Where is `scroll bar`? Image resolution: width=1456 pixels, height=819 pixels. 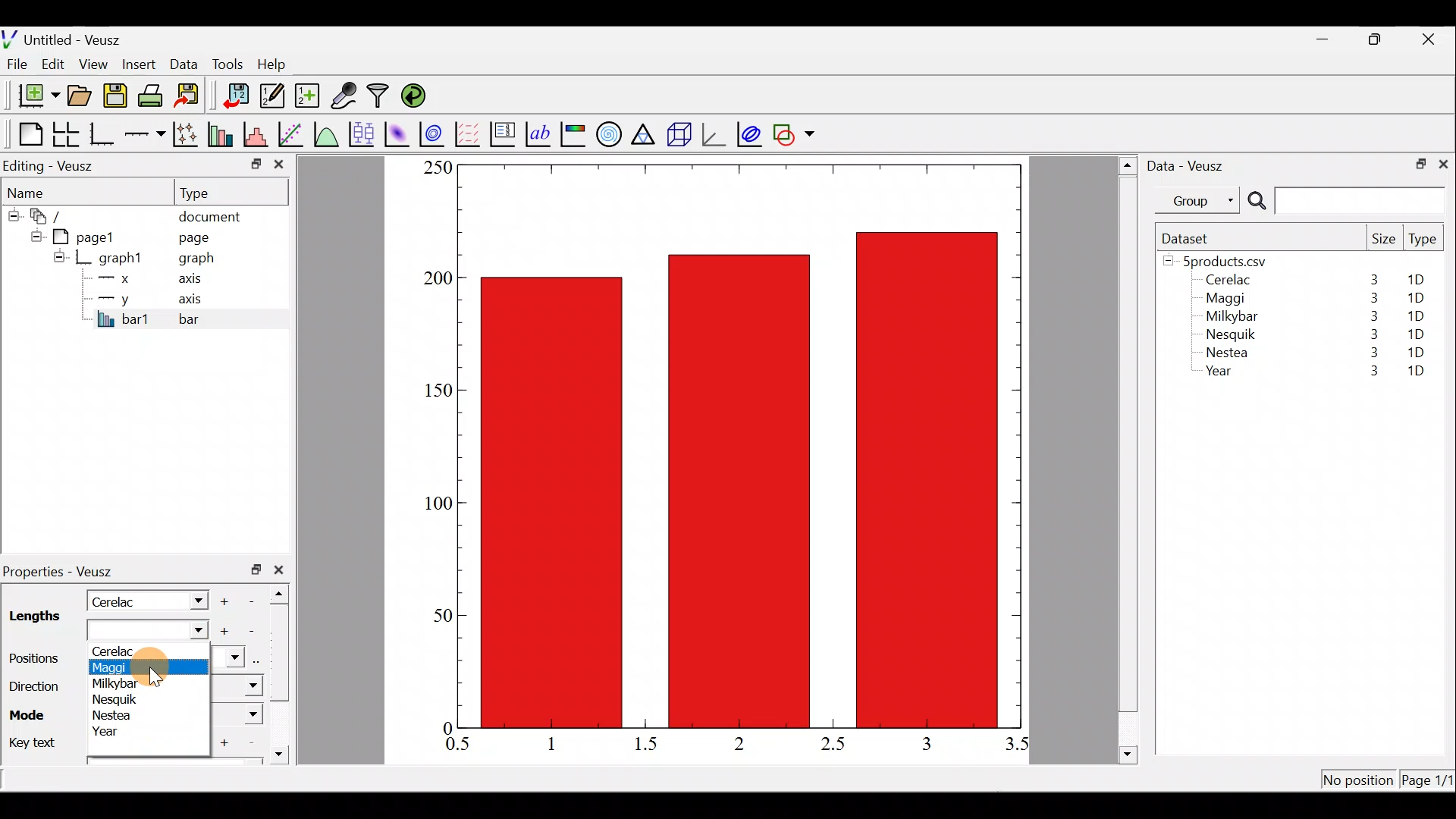
scroll bar is located at coordinates (284, 670).